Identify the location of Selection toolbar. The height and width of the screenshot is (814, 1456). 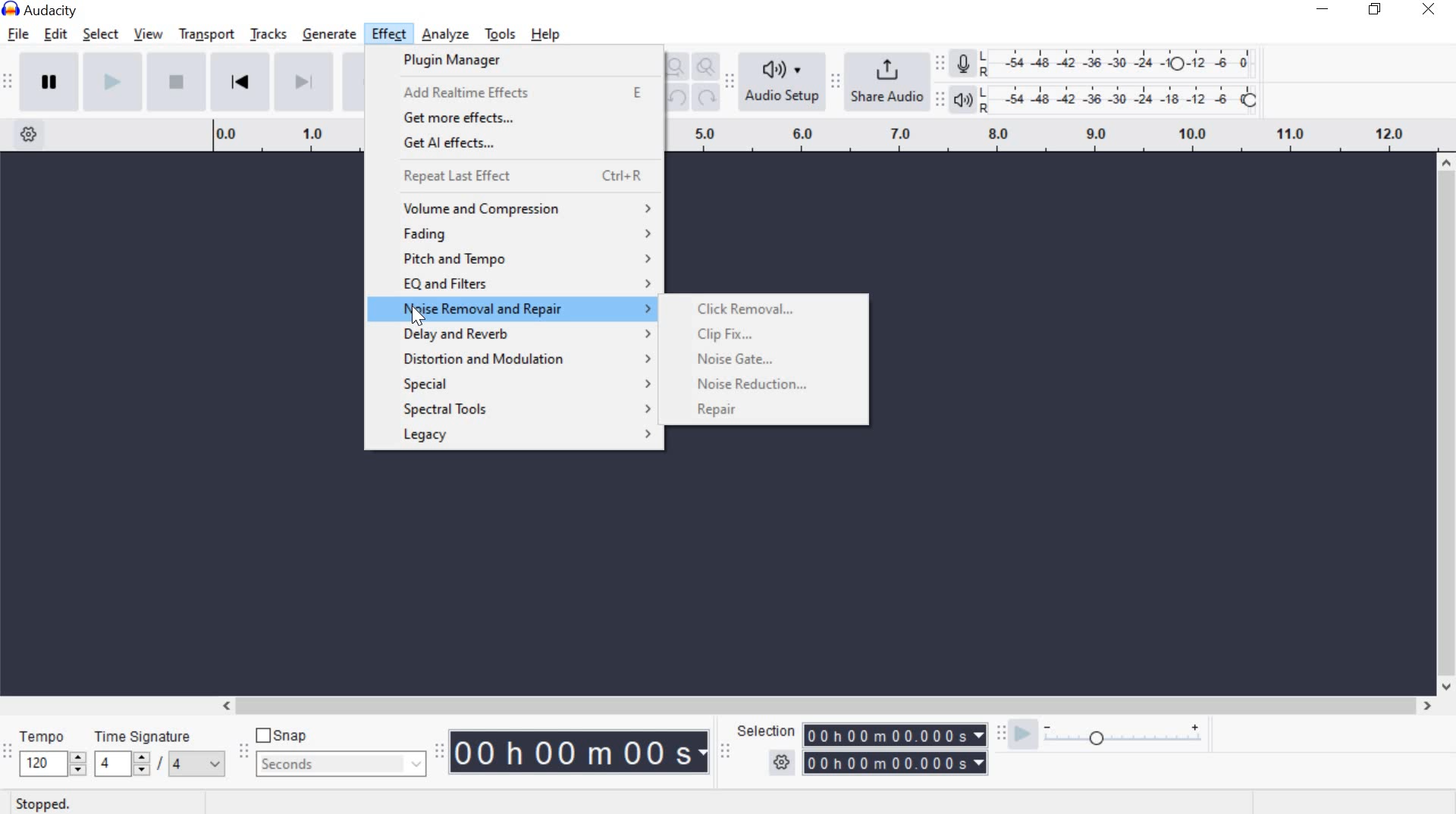
(726, 750).